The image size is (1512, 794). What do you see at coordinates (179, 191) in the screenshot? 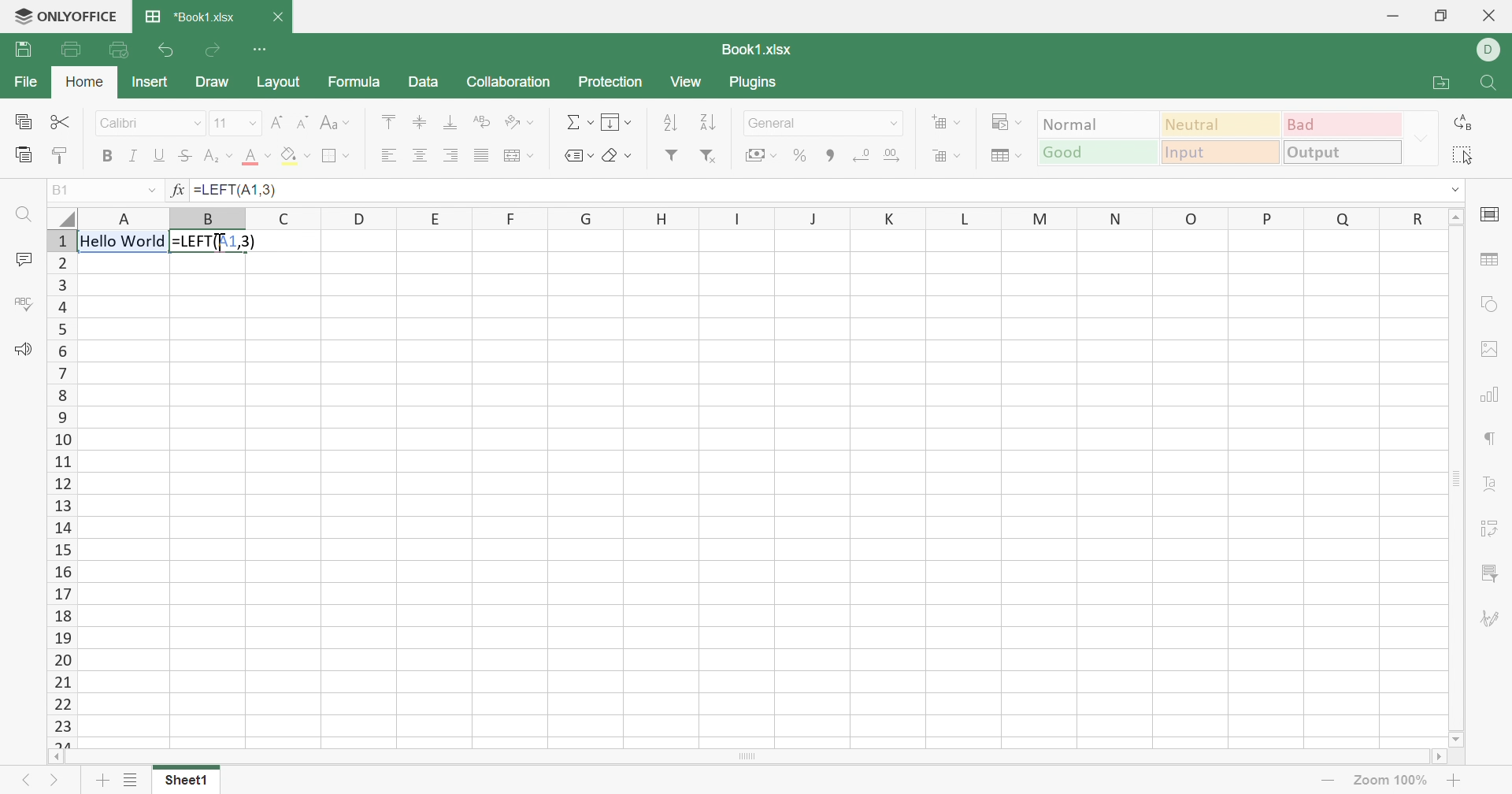
I see `fx` at bounding box center [179, 191].